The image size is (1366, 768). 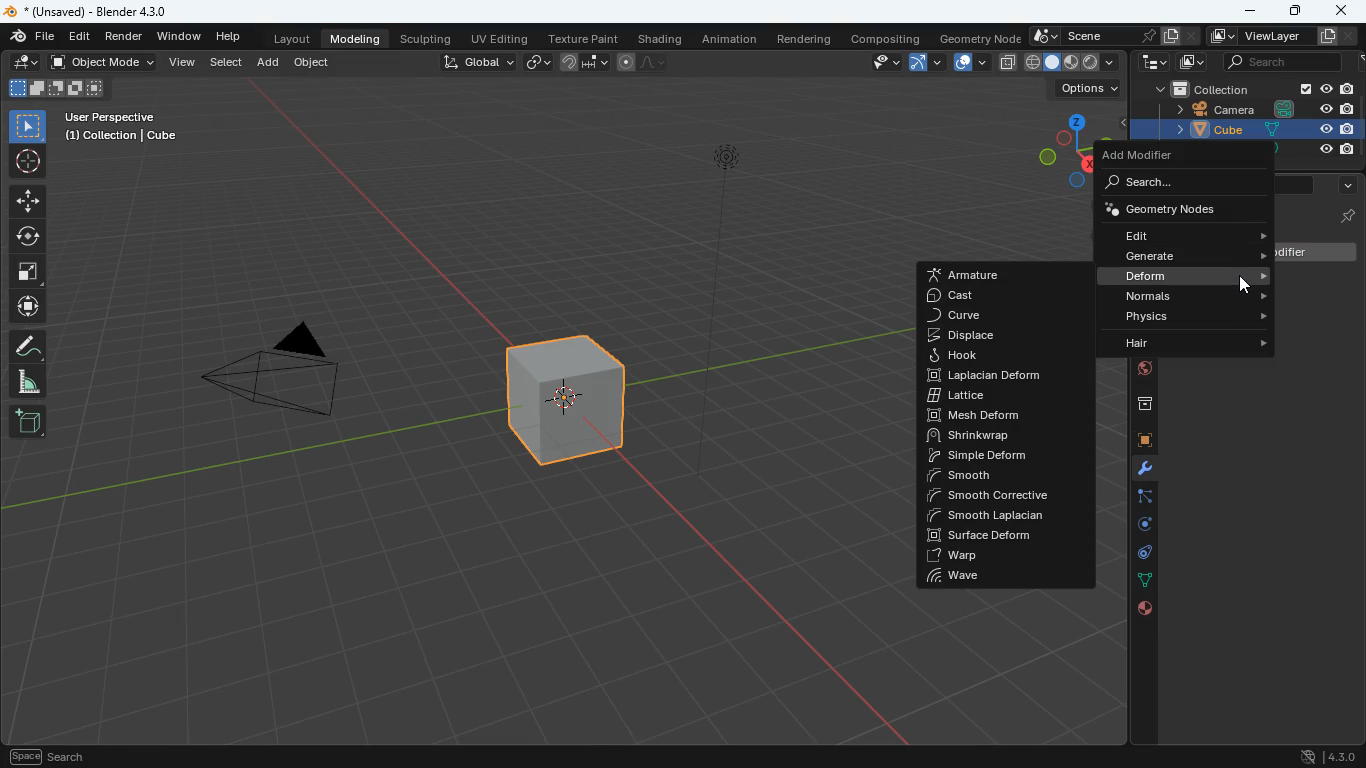 What do you see at coordinates (30, 308) in the screenshot?
I see `move` at bounding box center [30, 308].